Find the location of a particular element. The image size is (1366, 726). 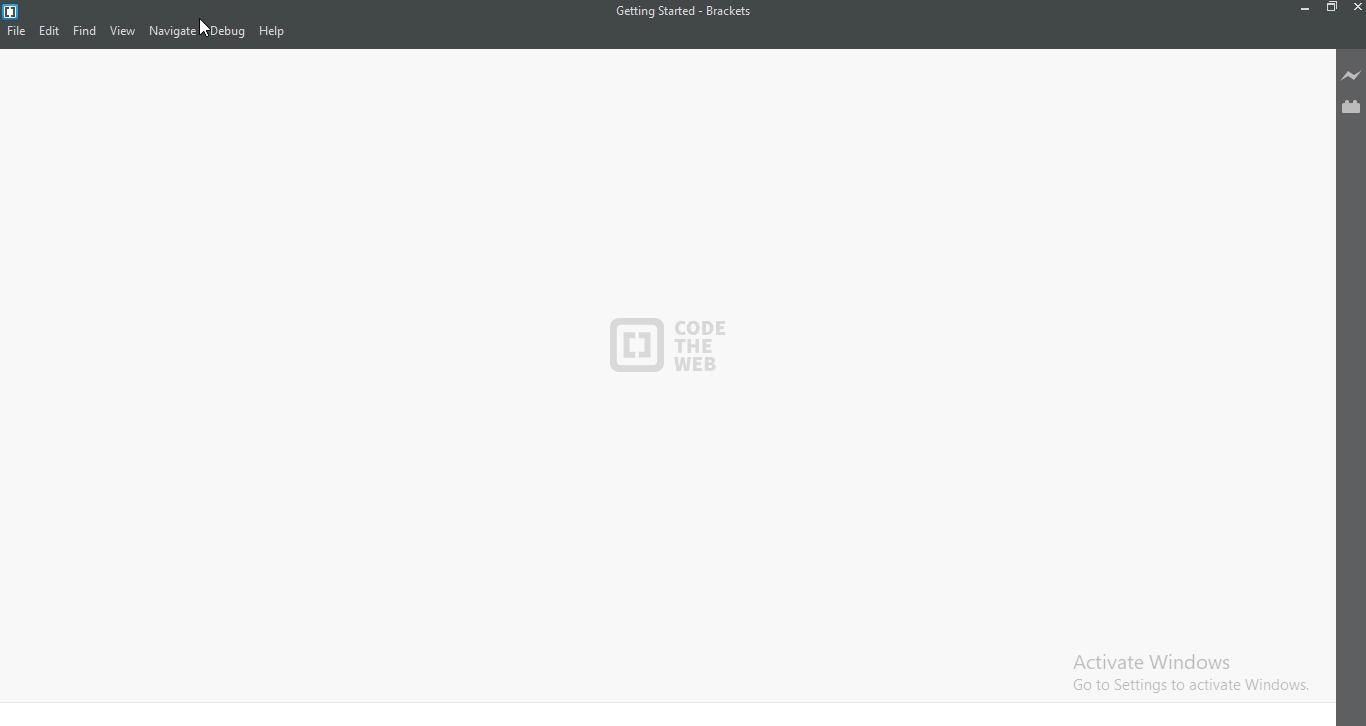

File is located at coordinates (16, 31).